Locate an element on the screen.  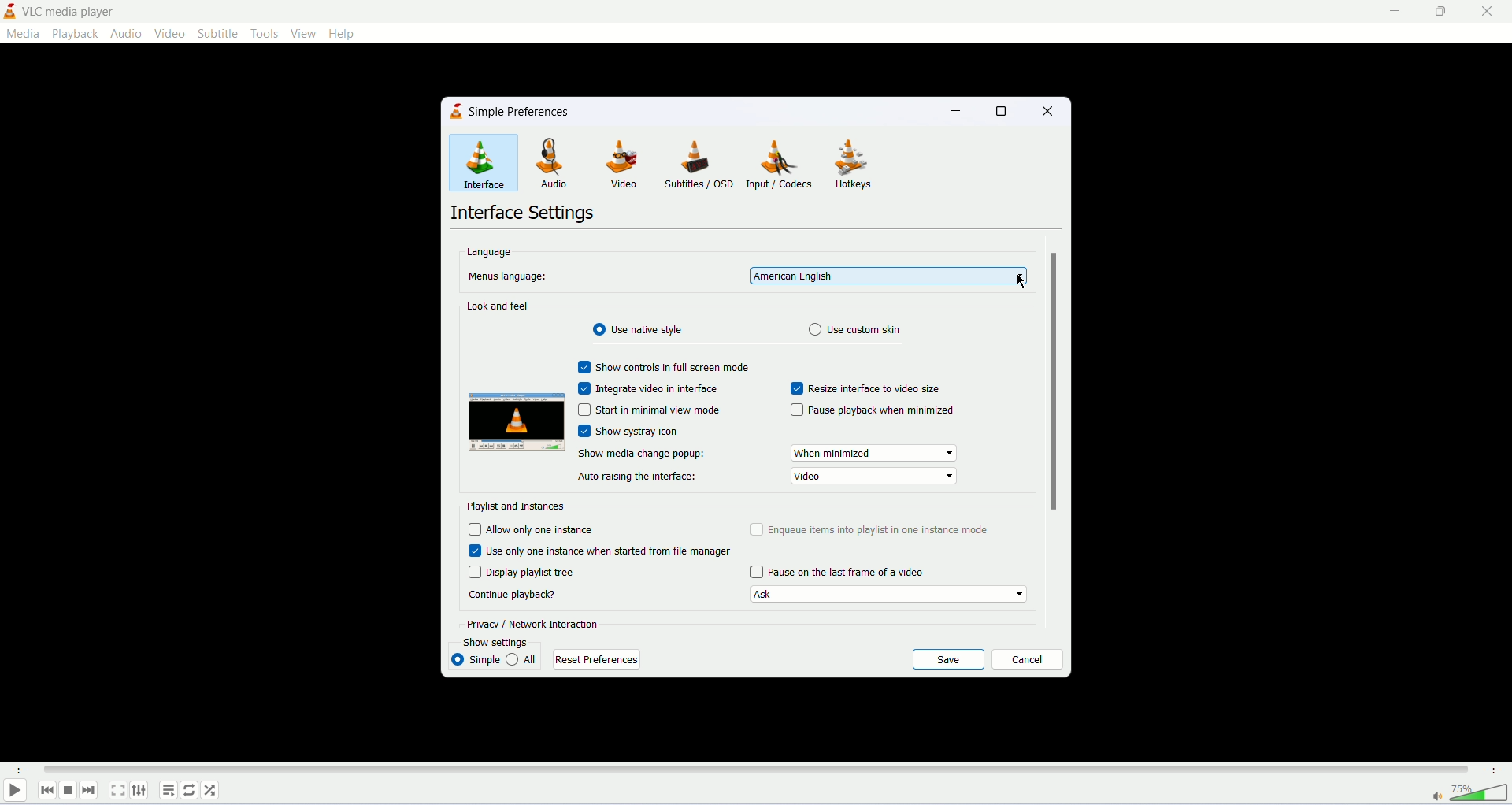
hotkeys is located at coordinates (850, 164).